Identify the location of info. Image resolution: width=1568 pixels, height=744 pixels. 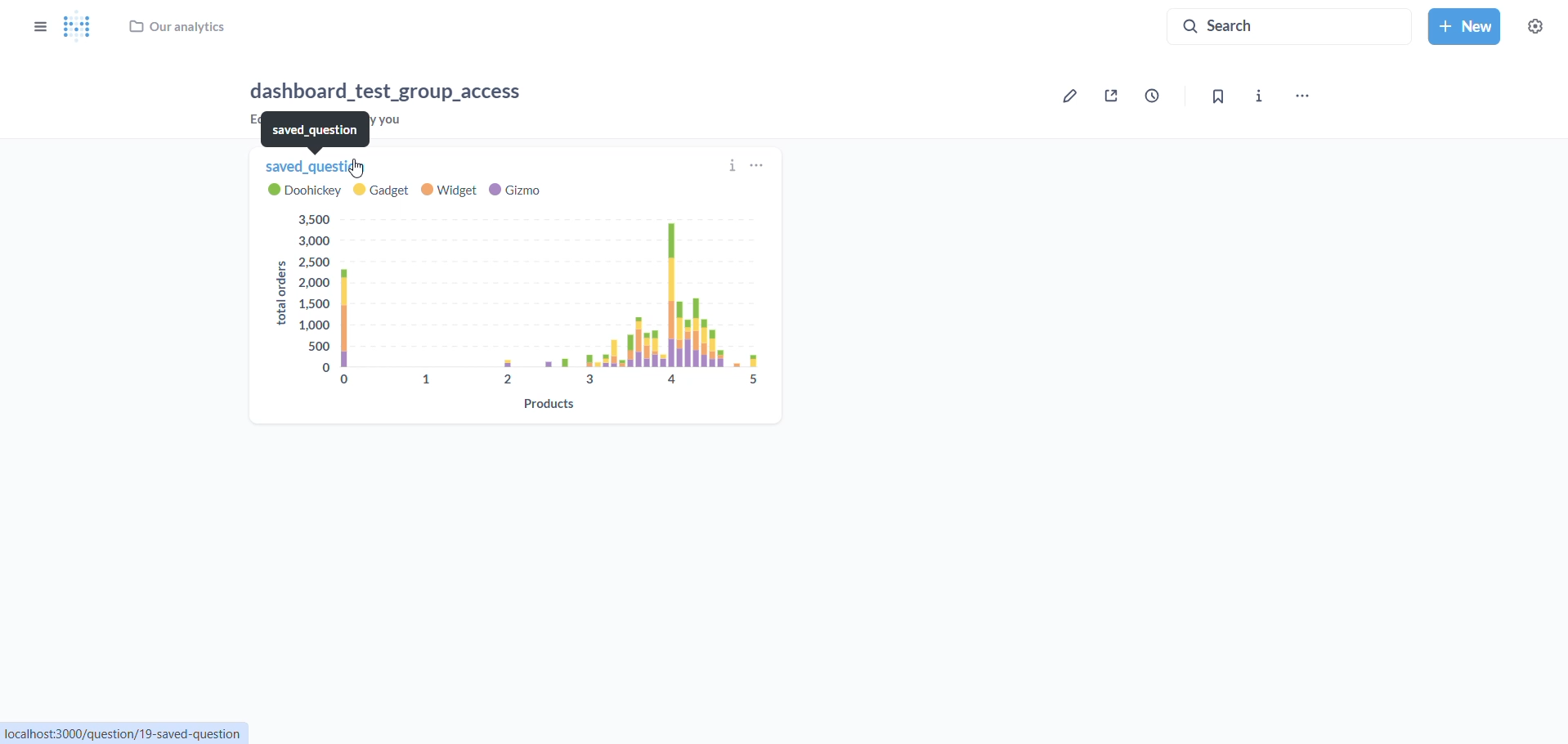
(1260, 96).